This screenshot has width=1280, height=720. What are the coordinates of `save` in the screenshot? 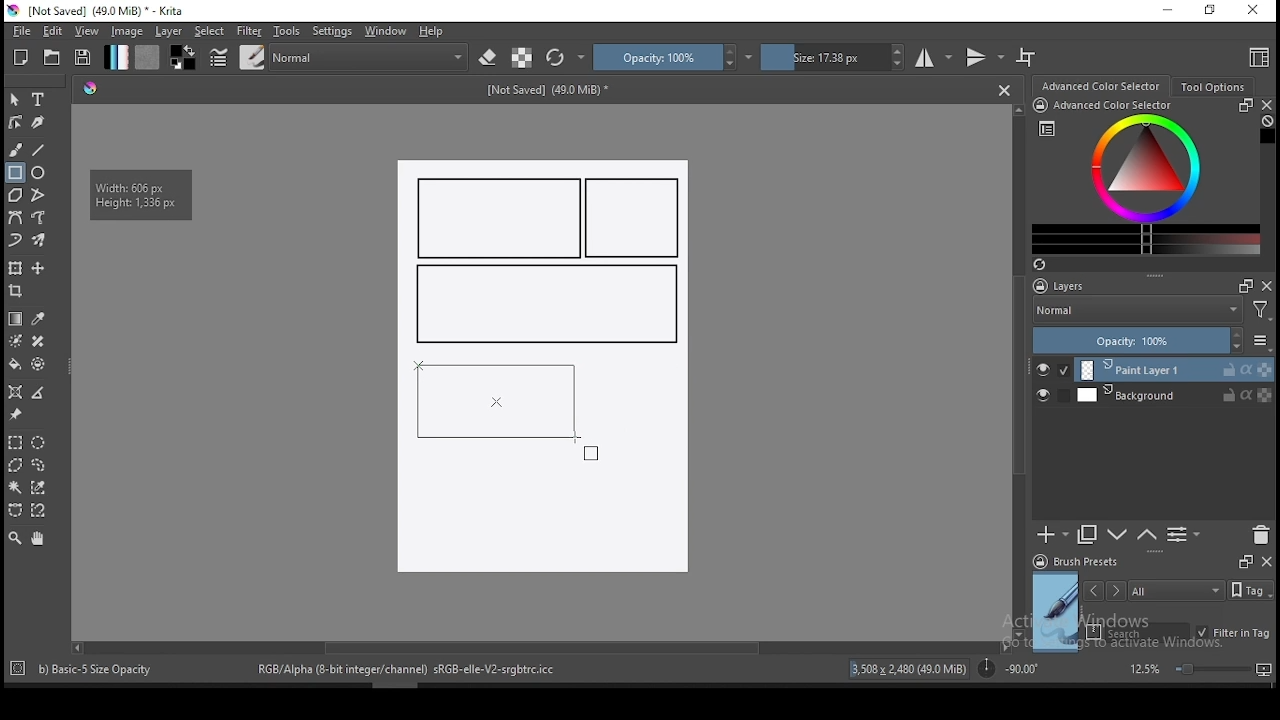 It's located at (83, 58).